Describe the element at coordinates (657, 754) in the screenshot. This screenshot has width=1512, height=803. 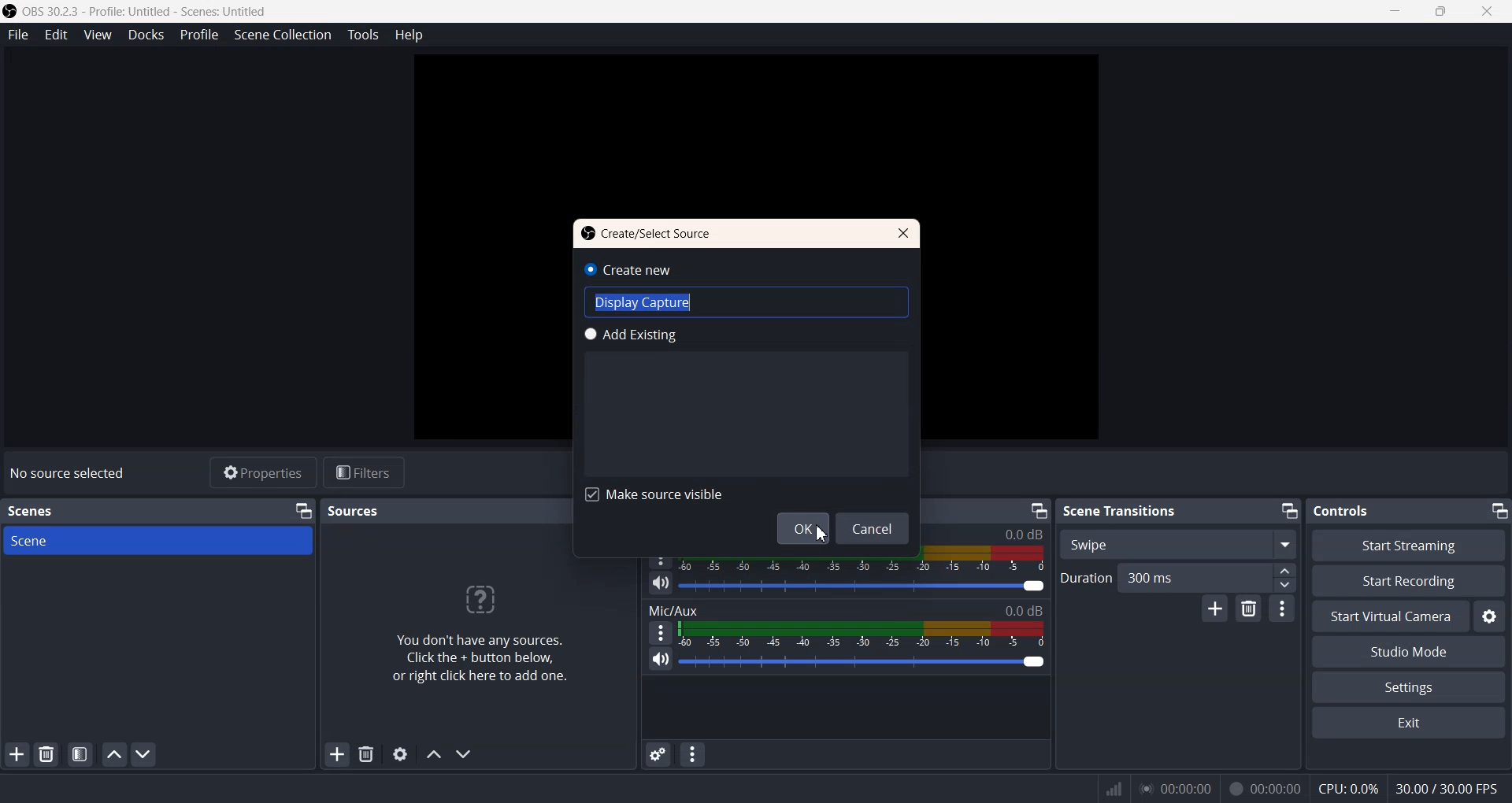
I see `Advance Audio Properties` at that location.